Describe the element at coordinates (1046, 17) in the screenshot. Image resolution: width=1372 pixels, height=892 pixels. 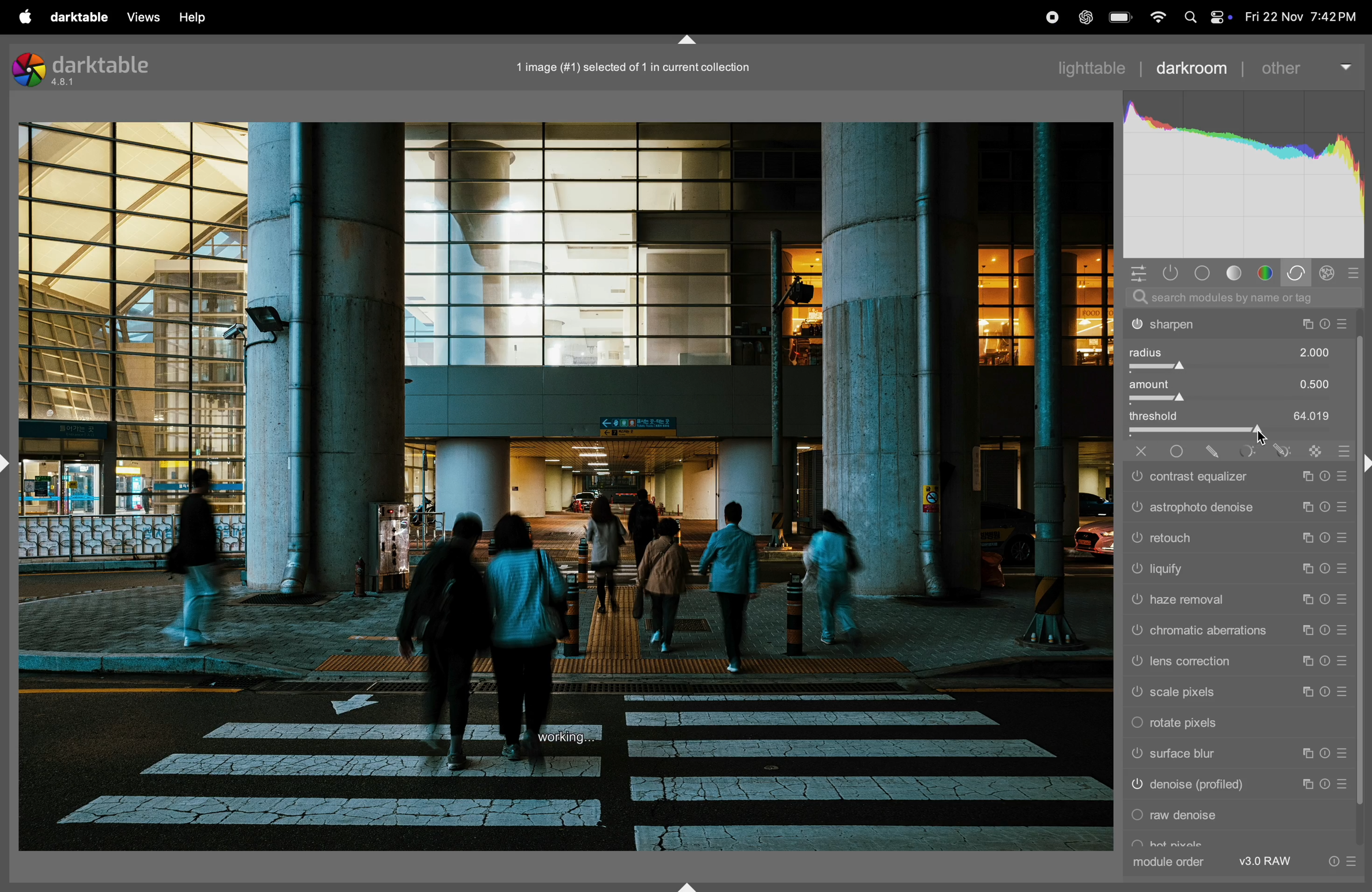
I see `record` at that location.